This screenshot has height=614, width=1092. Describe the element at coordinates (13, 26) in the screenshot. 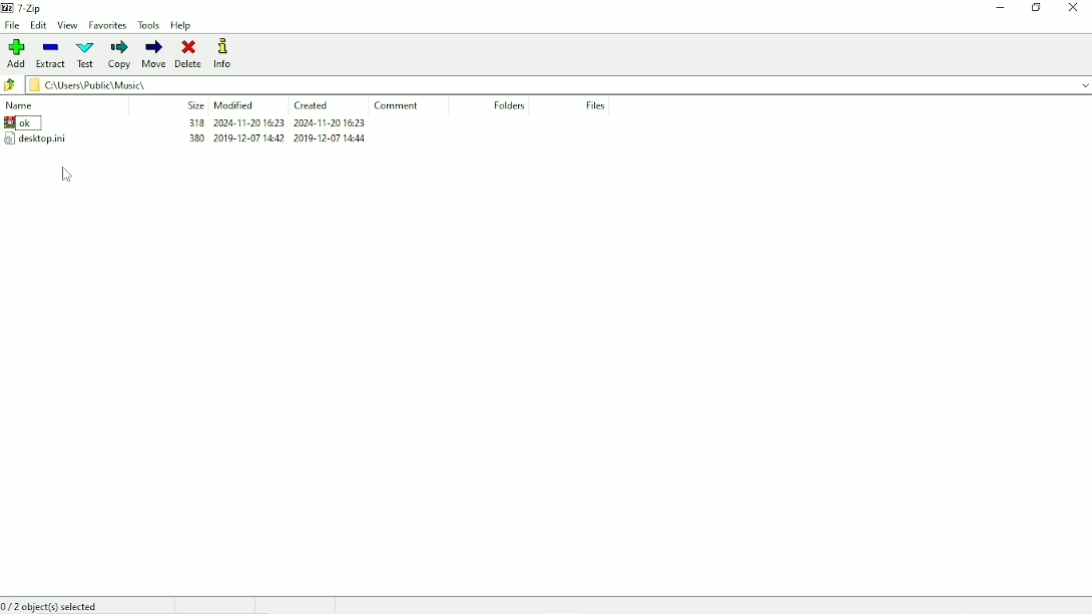

I see `File` at that location.